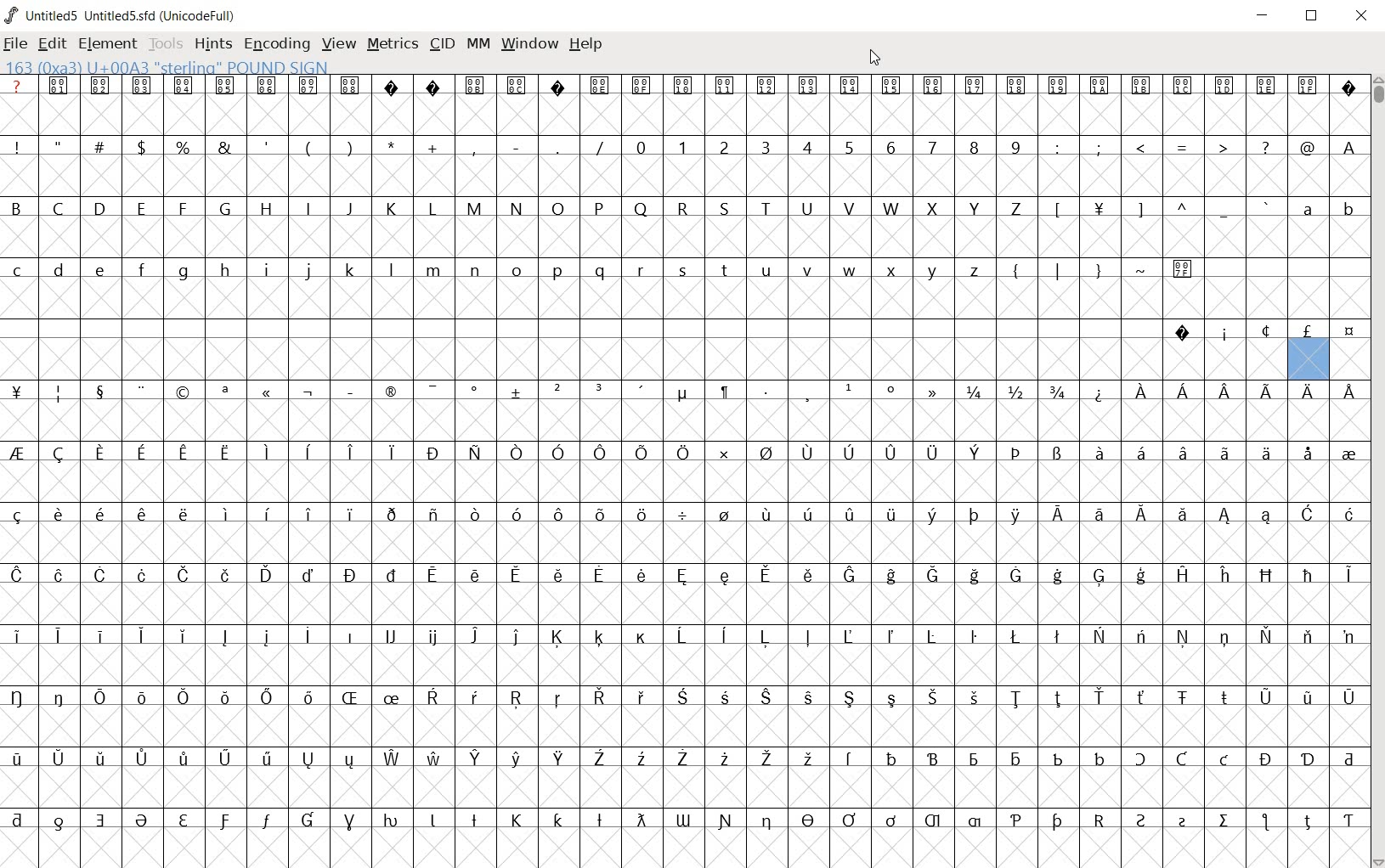 This screenshot has height=868, width=1385. I want to click on Symbol, so click(892, 758).